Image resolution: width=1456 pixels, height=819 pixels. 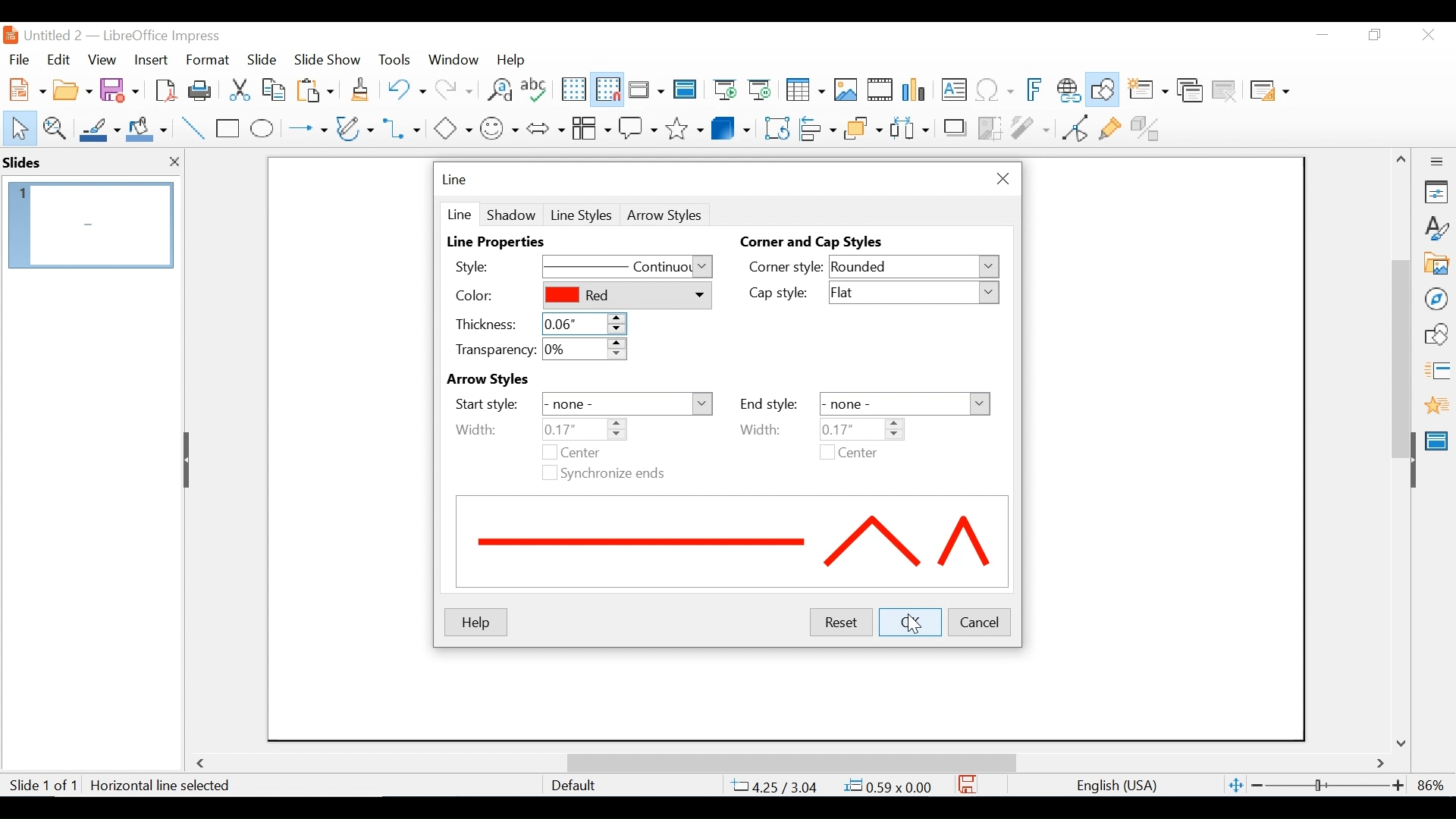 What do you see at coordinates (858, 454) in the screenshot?
I see `Center` at bounding box center [858, 454].